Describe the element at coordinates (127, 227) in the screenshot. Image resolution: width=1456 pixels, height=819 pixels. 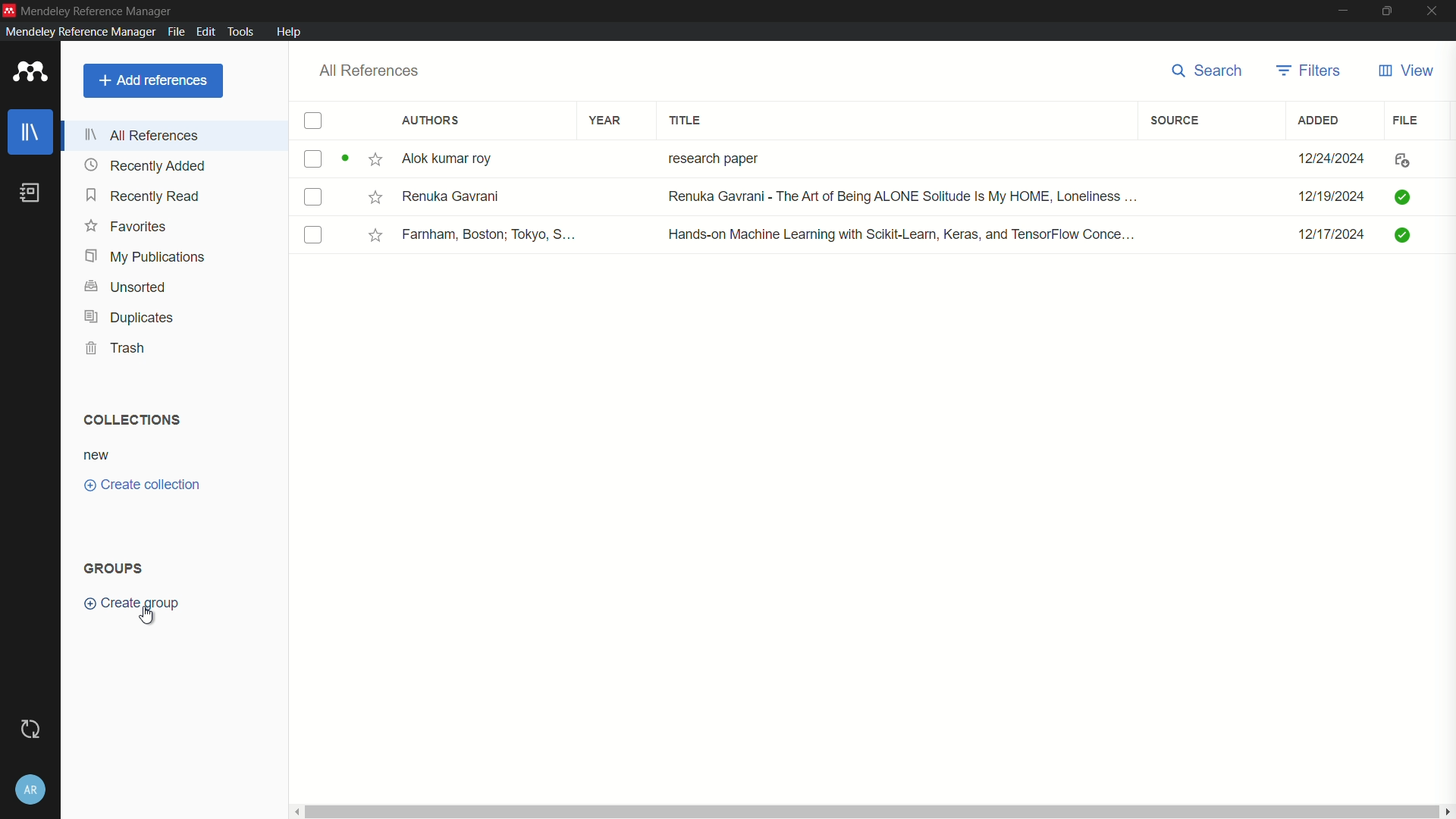
I see `favorites` at that location.